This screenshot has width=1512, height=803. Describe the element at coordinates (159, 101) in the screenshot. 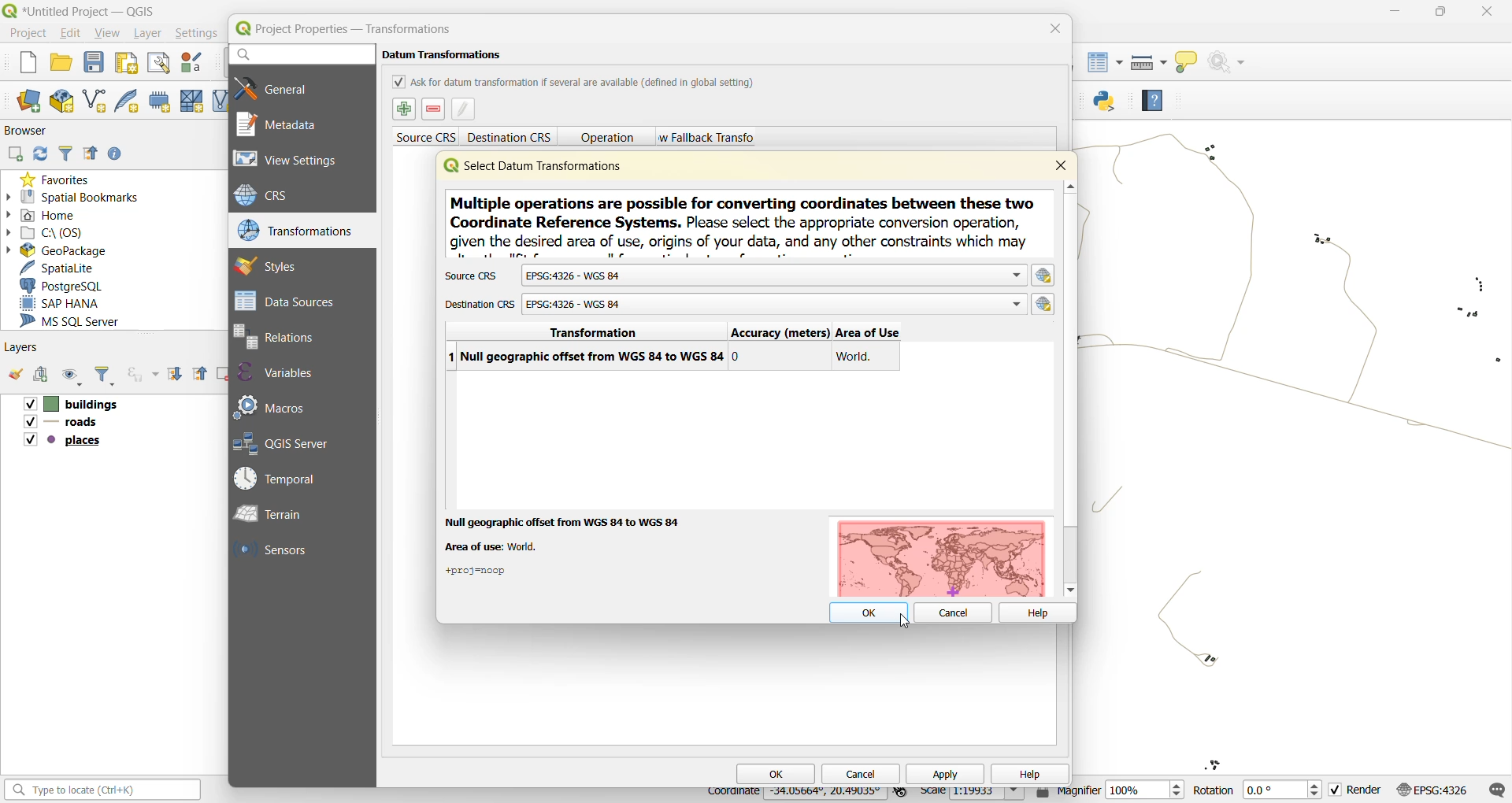

I see `temporary scratch layer` at that location.